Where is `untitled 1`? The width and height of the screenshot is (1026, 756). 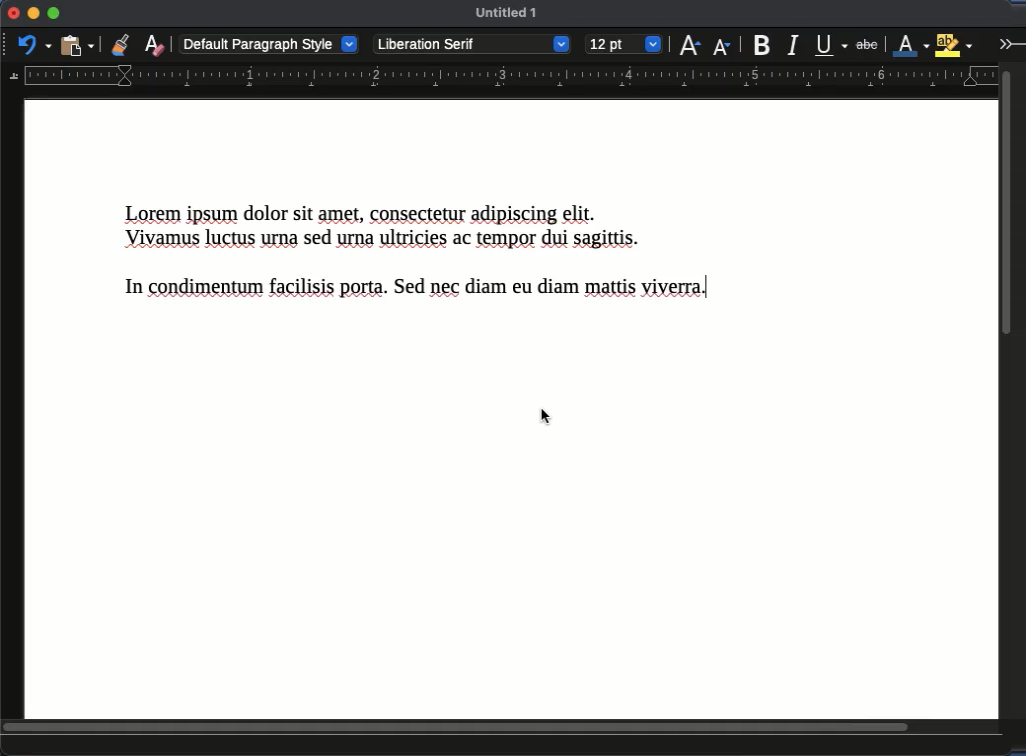 untitled 1 is located at coordinates (508, 14).